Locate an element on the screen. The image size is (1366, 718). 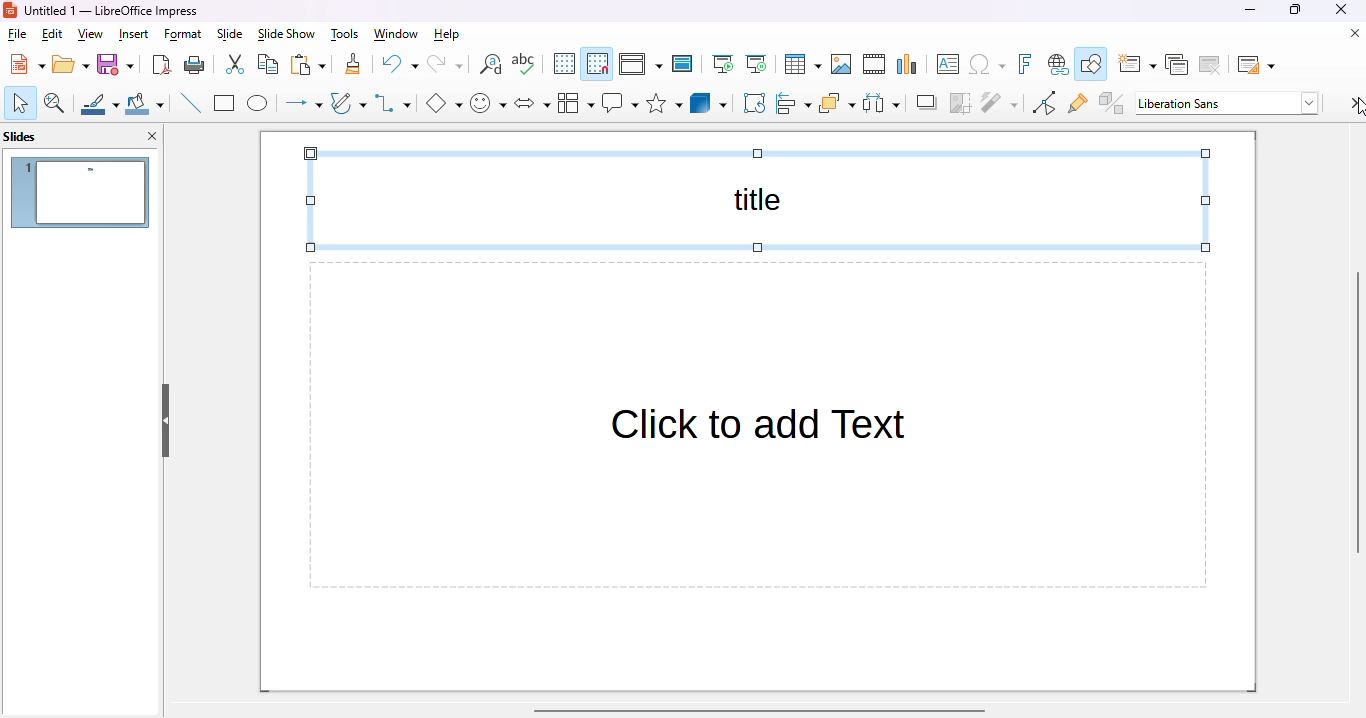
duplicate slide is located at coordinates (1176, 64).